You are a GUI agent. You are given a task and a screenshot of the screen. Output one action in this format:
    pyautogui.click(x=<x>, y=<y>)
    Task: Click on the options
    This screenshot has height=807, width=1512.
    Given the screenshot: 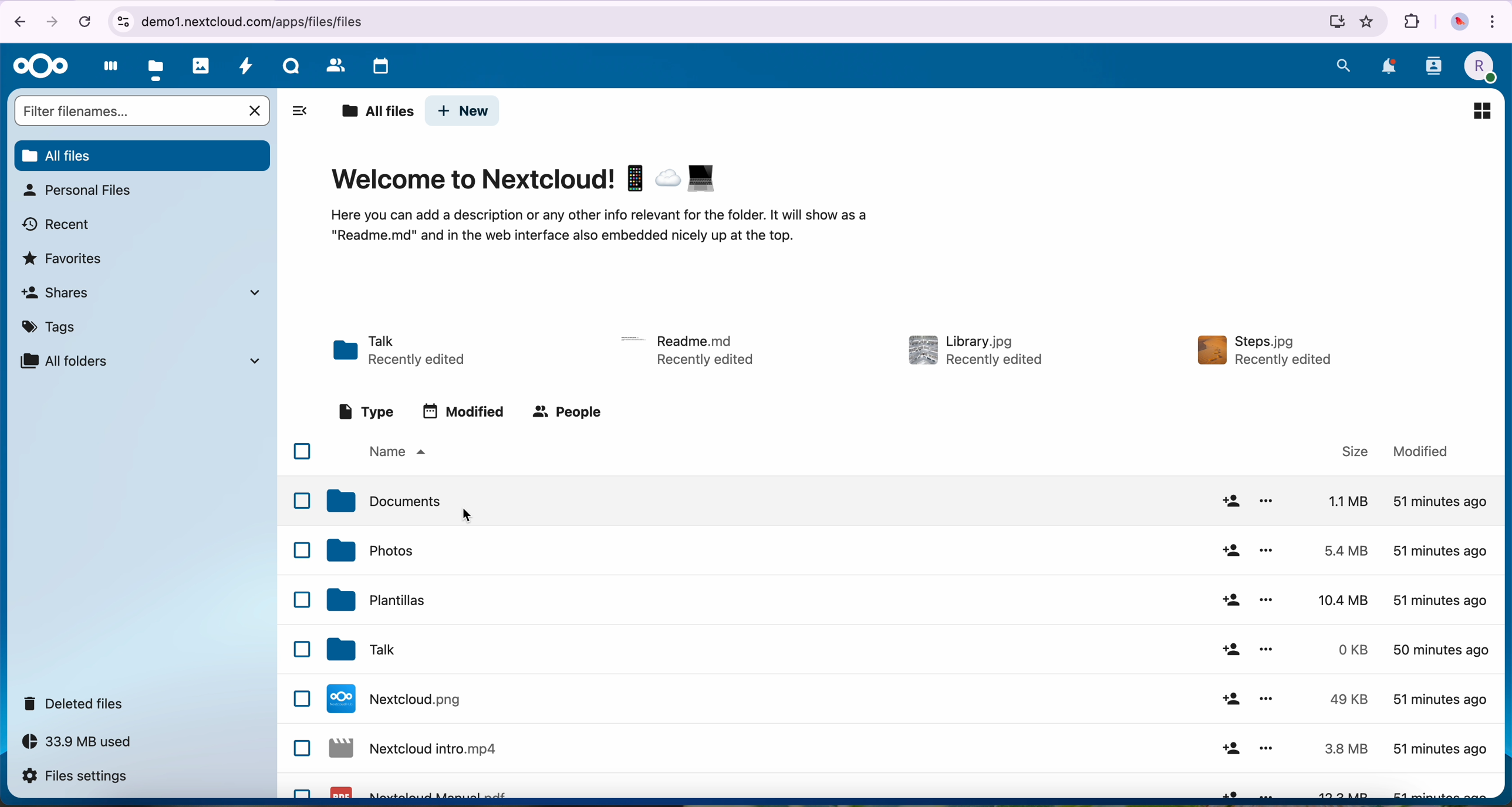 What is the action you would take?
    pyautogui.click(x=1267, y=501)
    